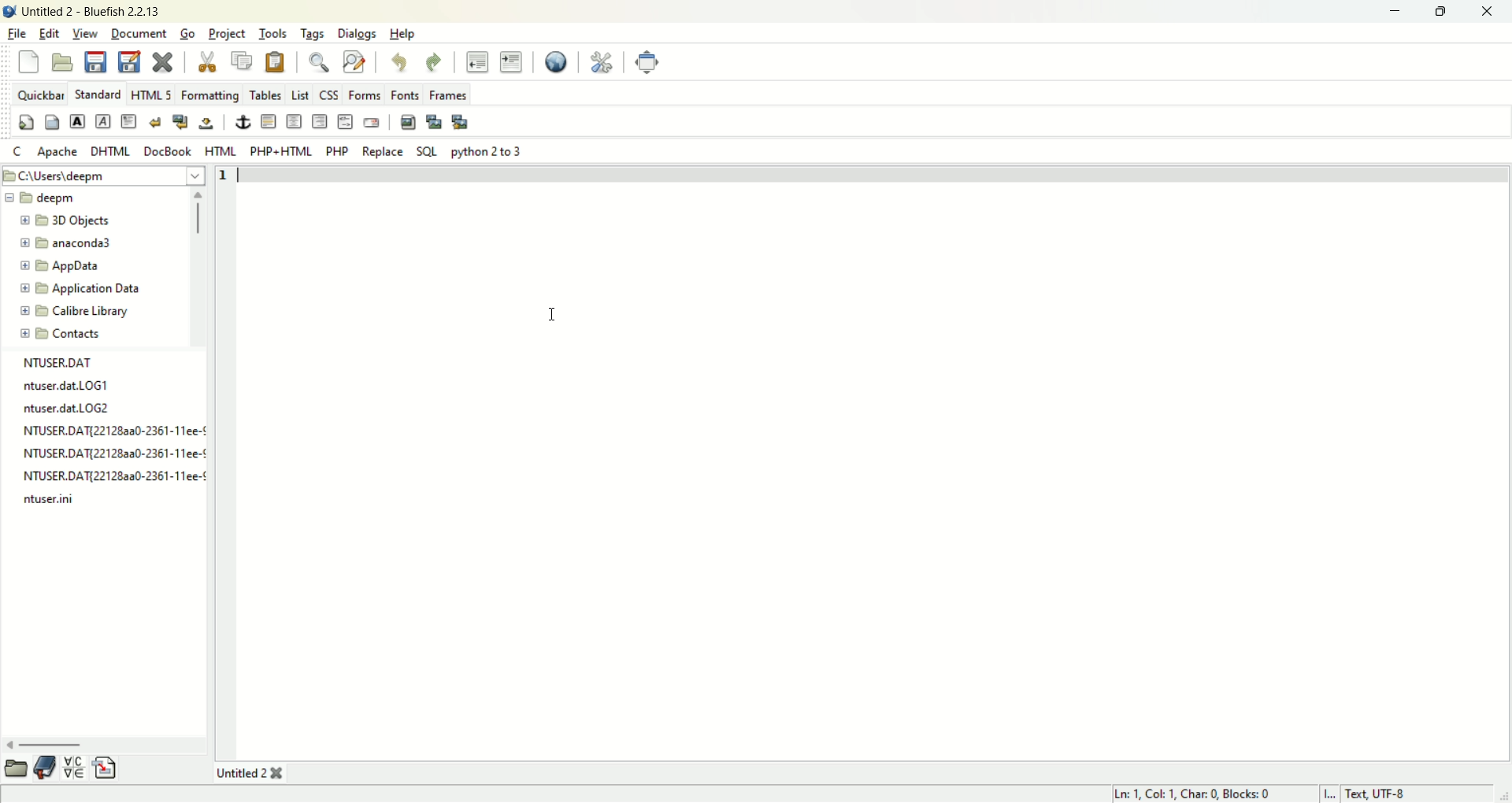 This screenshot has width=1512, height=803. I want to click on anchor, so click(241, 122).